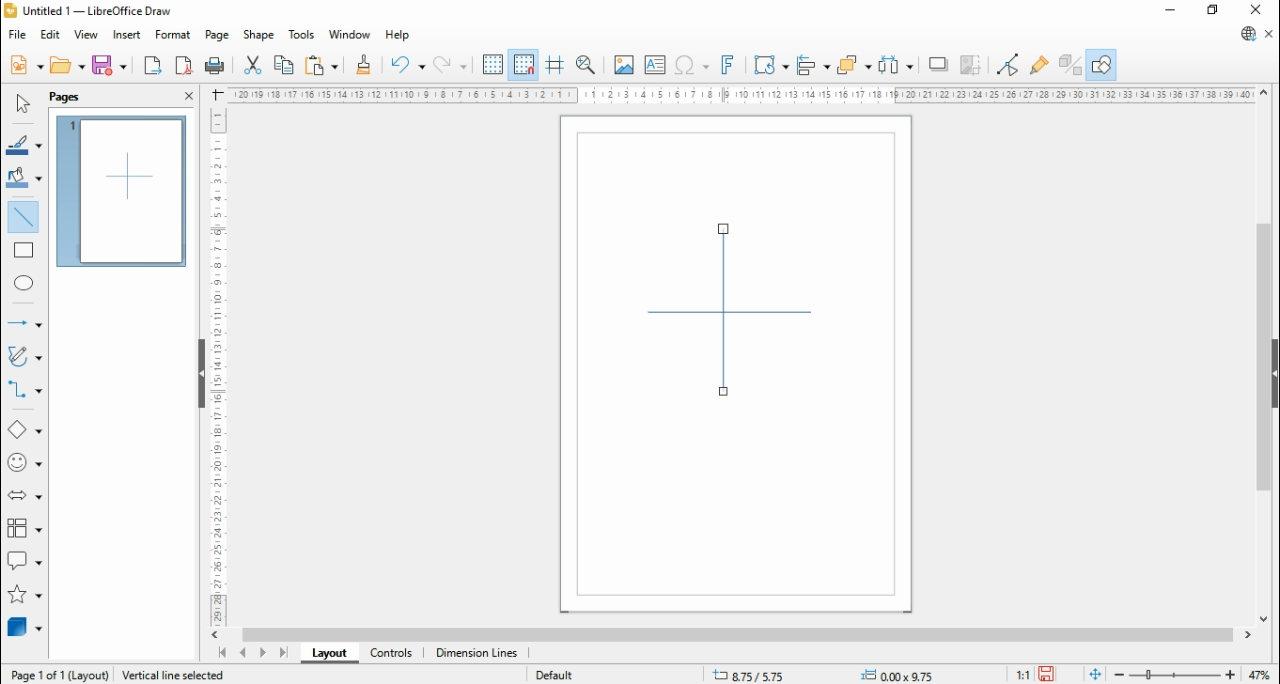  Describe the element at coordinates (285, 65) in the screenshot. I see `copy` at that location.